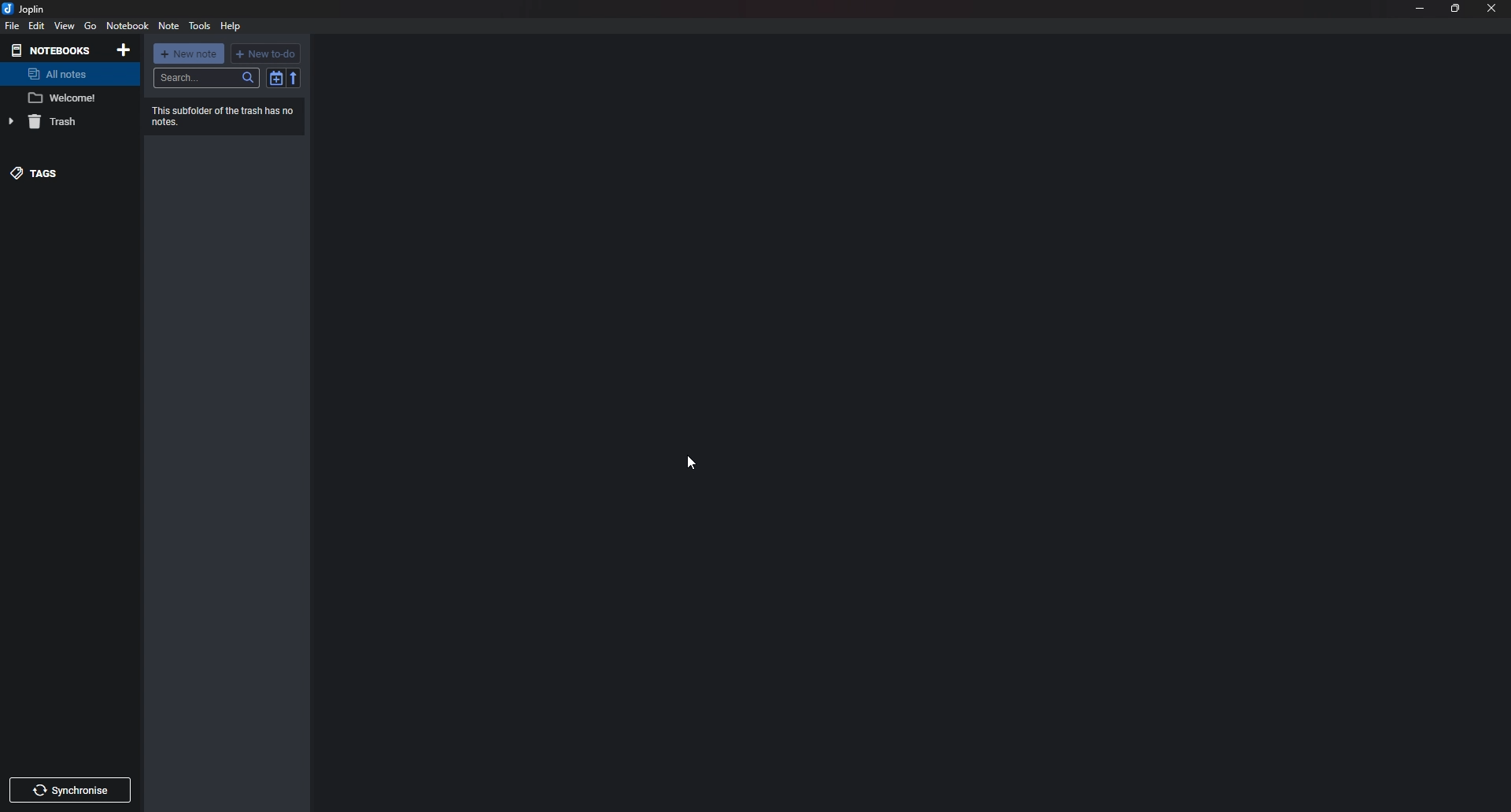 The width and height of the screenshot is (1511, 812). I want to click on Edit, so click(38, 24).